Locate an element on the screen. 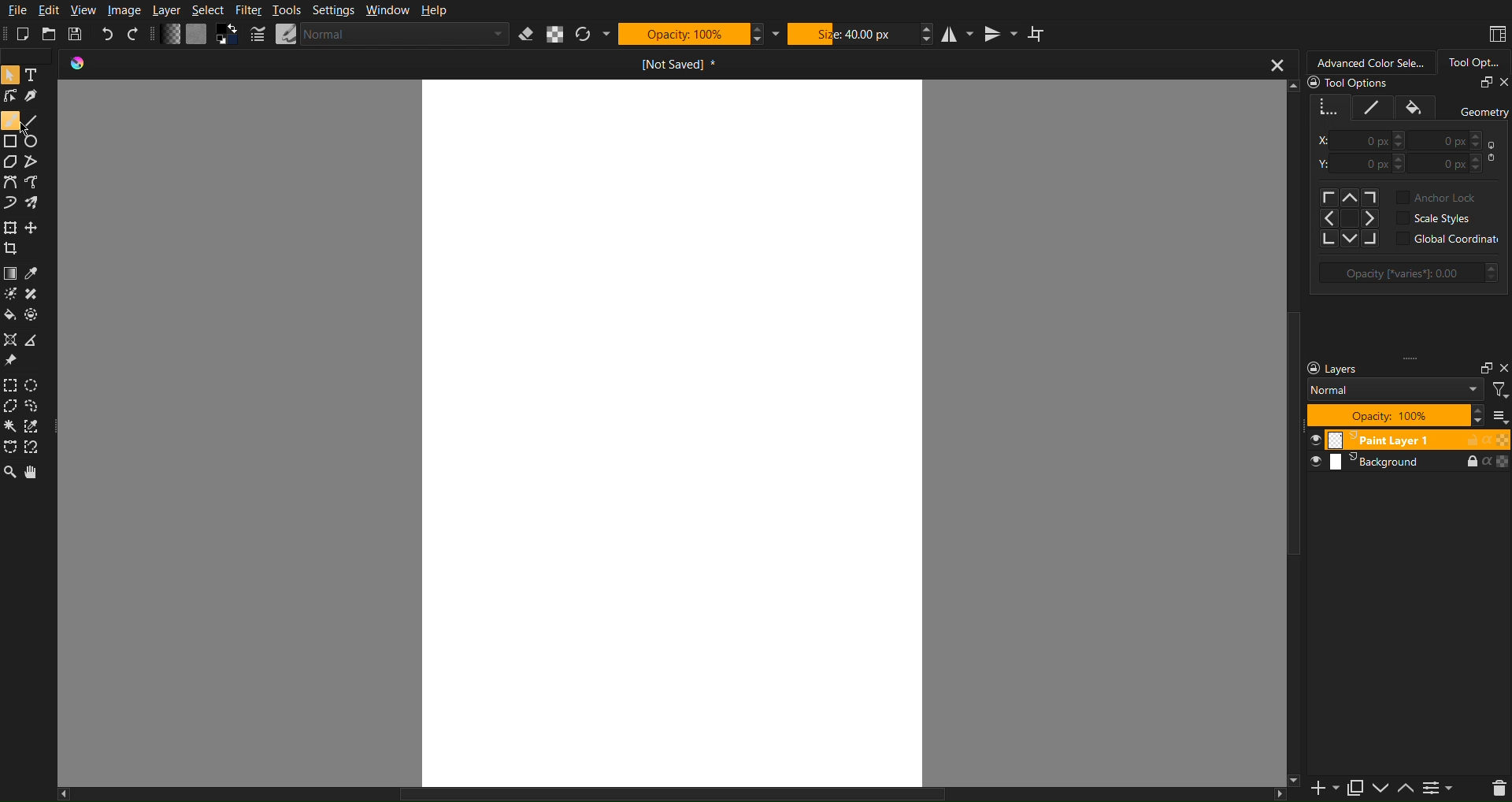  Color Settings is located at coordinates (199, 35).